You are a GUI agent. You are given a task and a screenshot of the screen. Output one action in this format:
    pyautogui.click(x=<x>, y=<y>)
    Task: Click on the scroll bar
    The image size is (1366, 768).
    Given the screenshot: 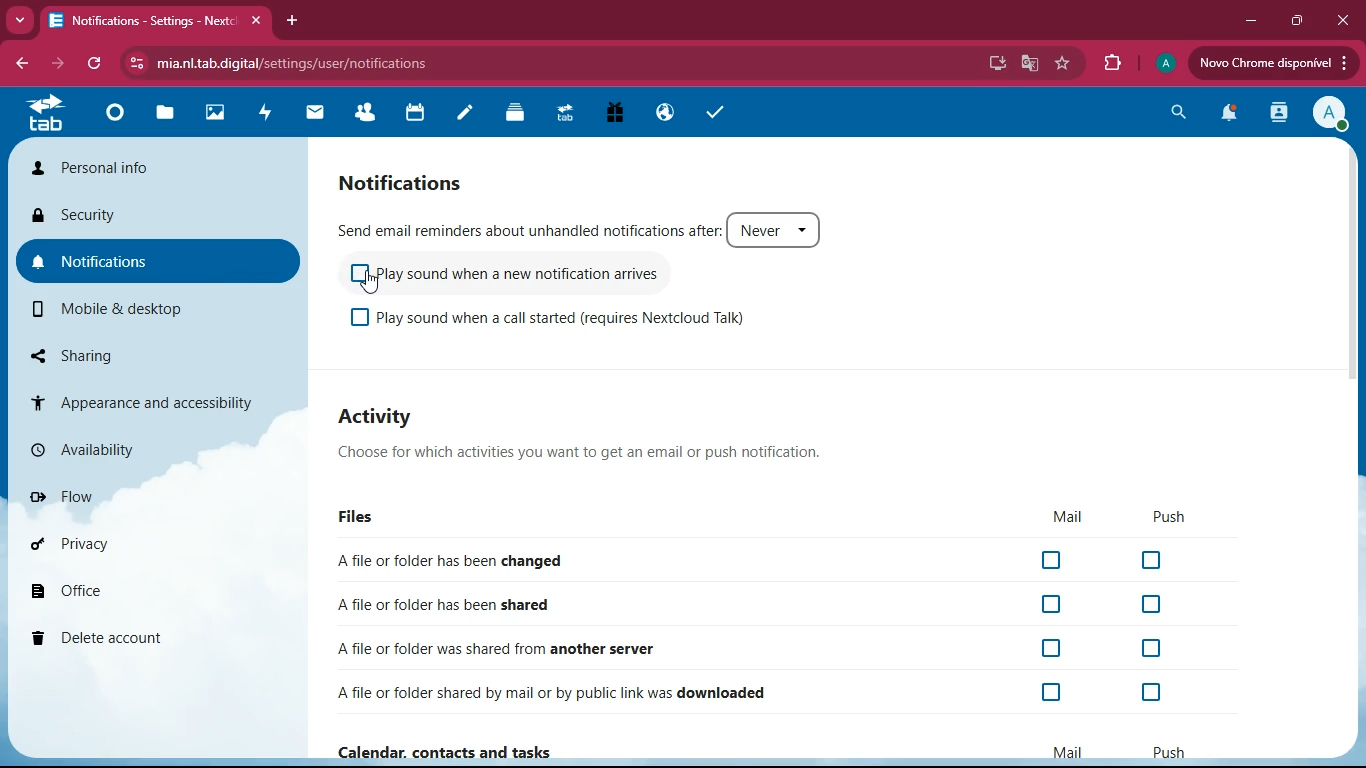 What is the action you would take?
    pyautogui.click(x=1356, y=318)
    